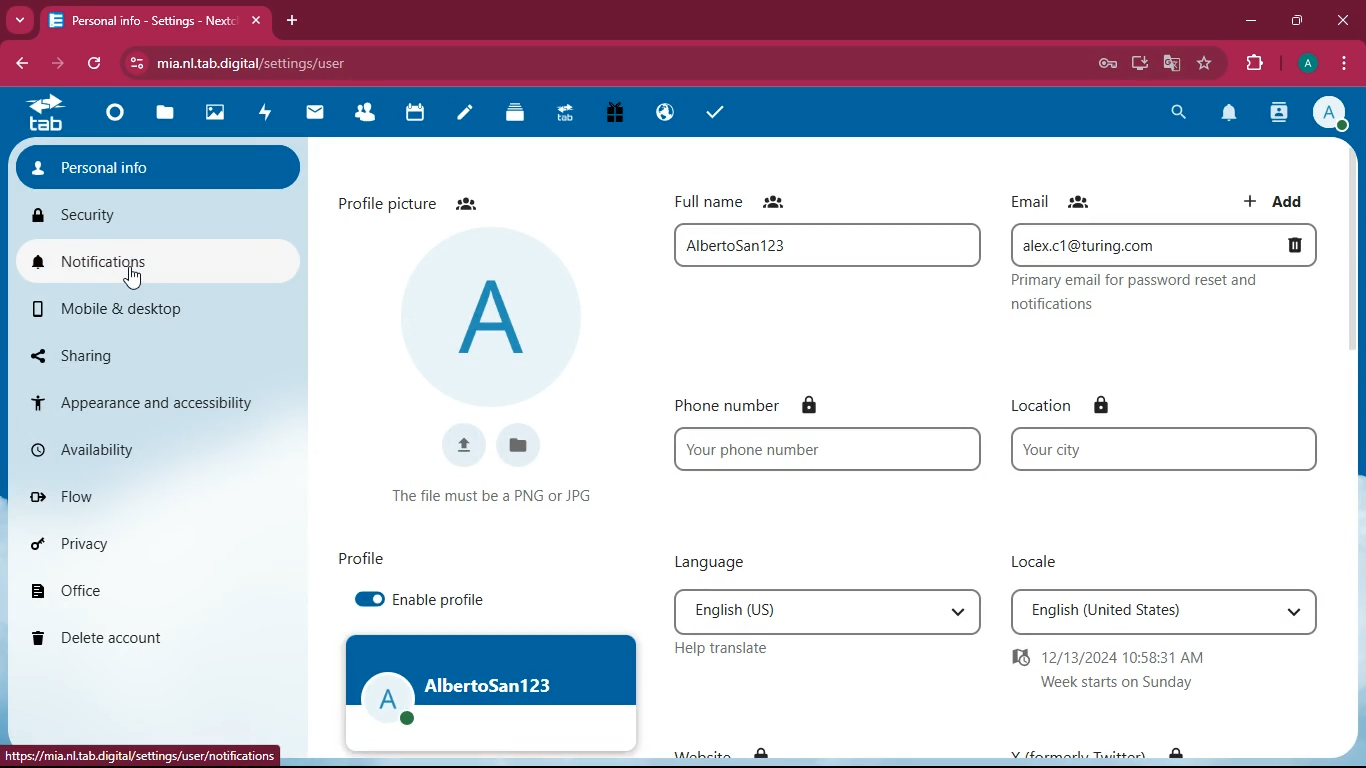 The width and height of the screenshot is (1366, 768). What do you see at coordinates (315, 112) in the screenshot?
I see `mail` at bounding box center [315, 112].